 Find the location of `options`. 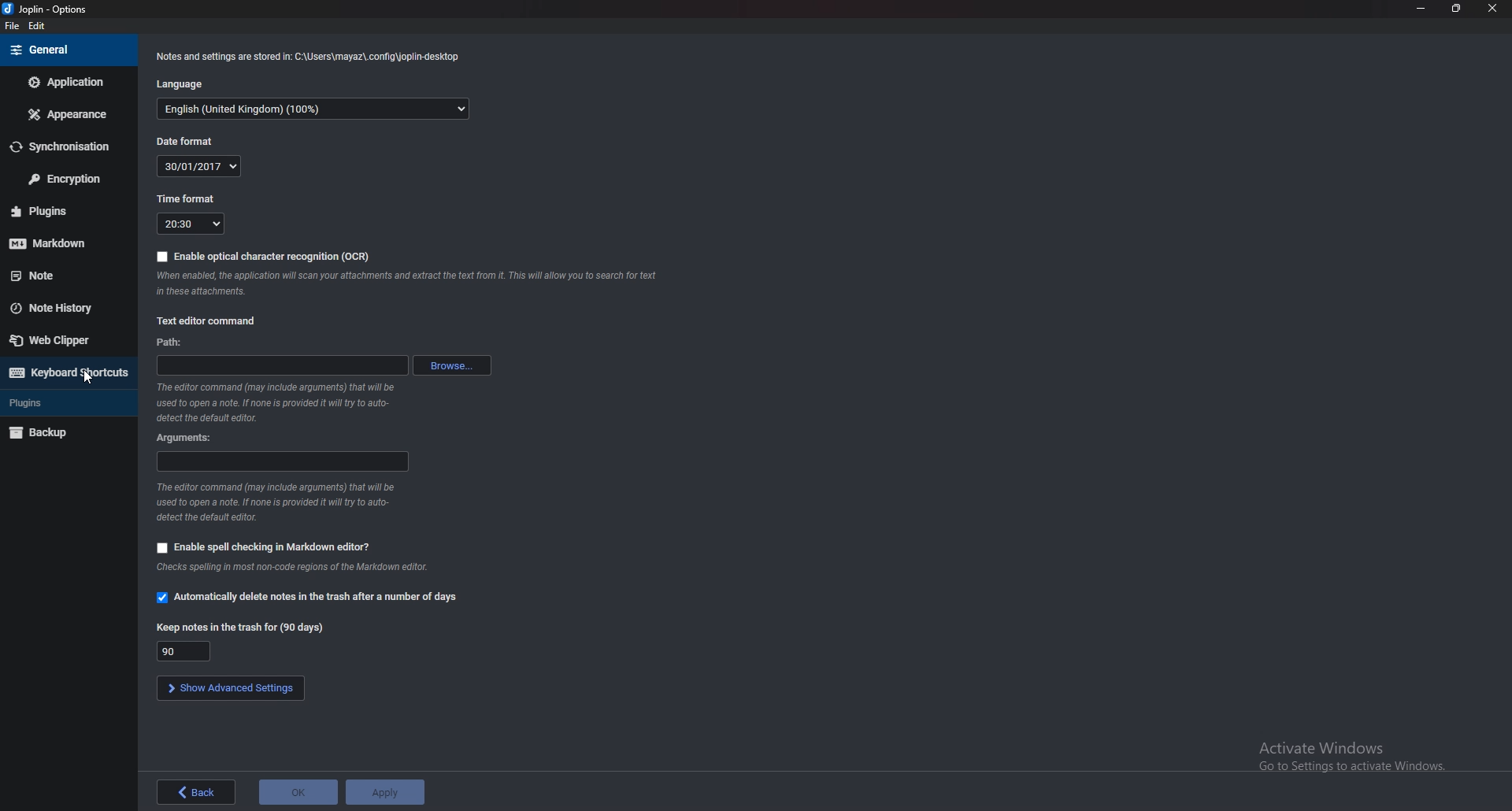

options is located at coordinates (47, 9).